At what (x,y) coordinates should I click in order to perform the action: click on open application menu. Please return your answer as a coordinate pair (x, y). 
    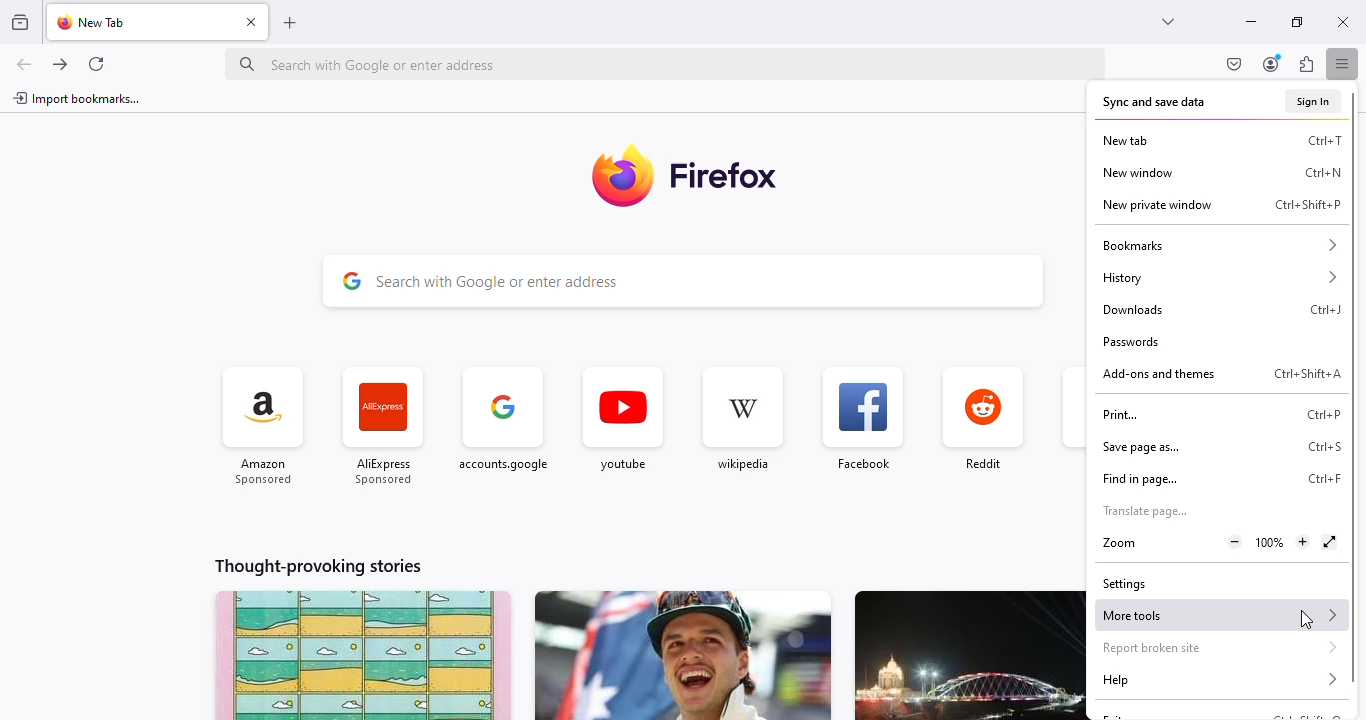
    Looking at the image, I should click on (1342, 63).